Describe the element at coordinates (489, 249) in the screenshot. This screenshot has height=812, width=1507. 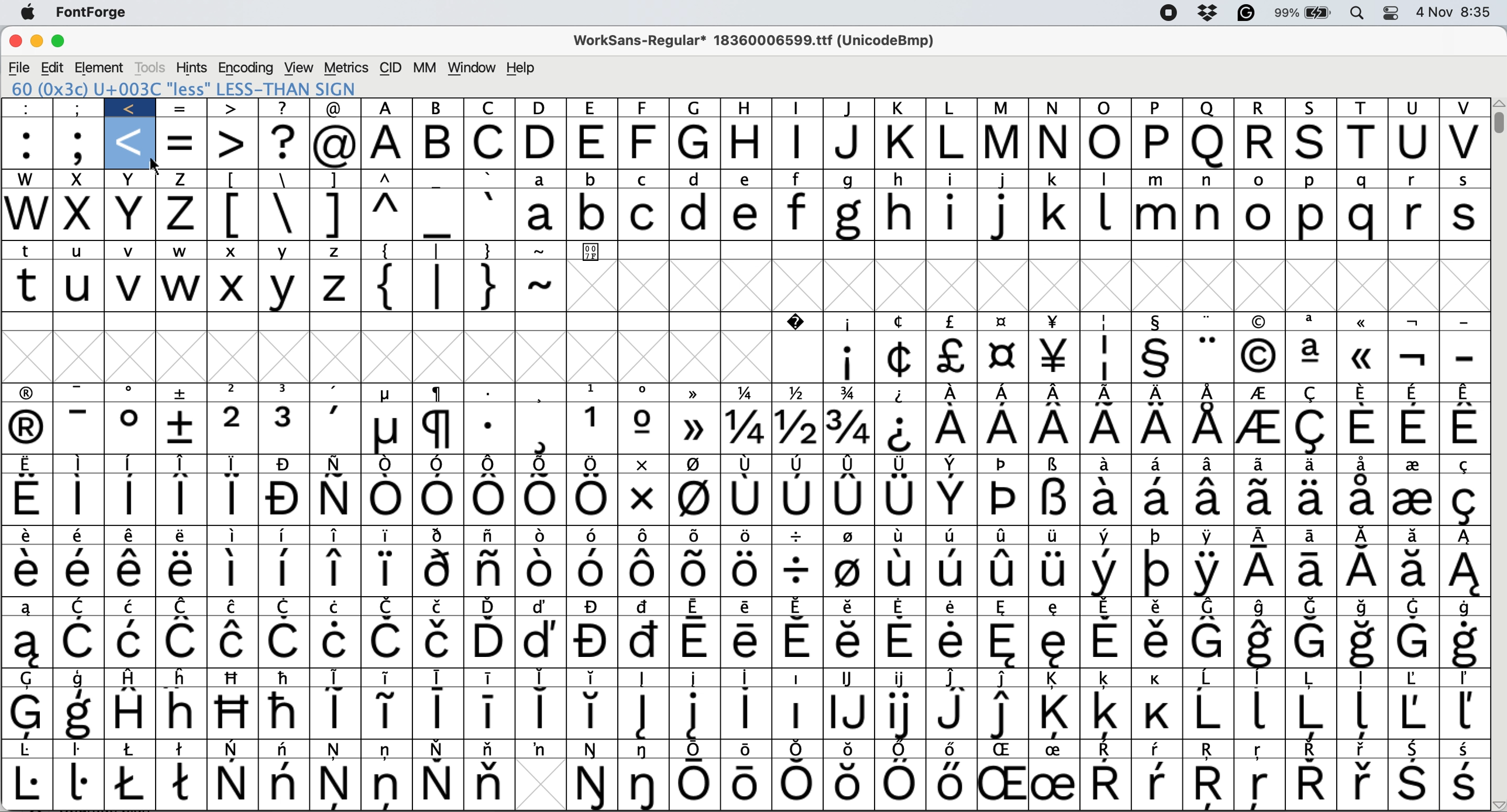
I see `}` at that location.